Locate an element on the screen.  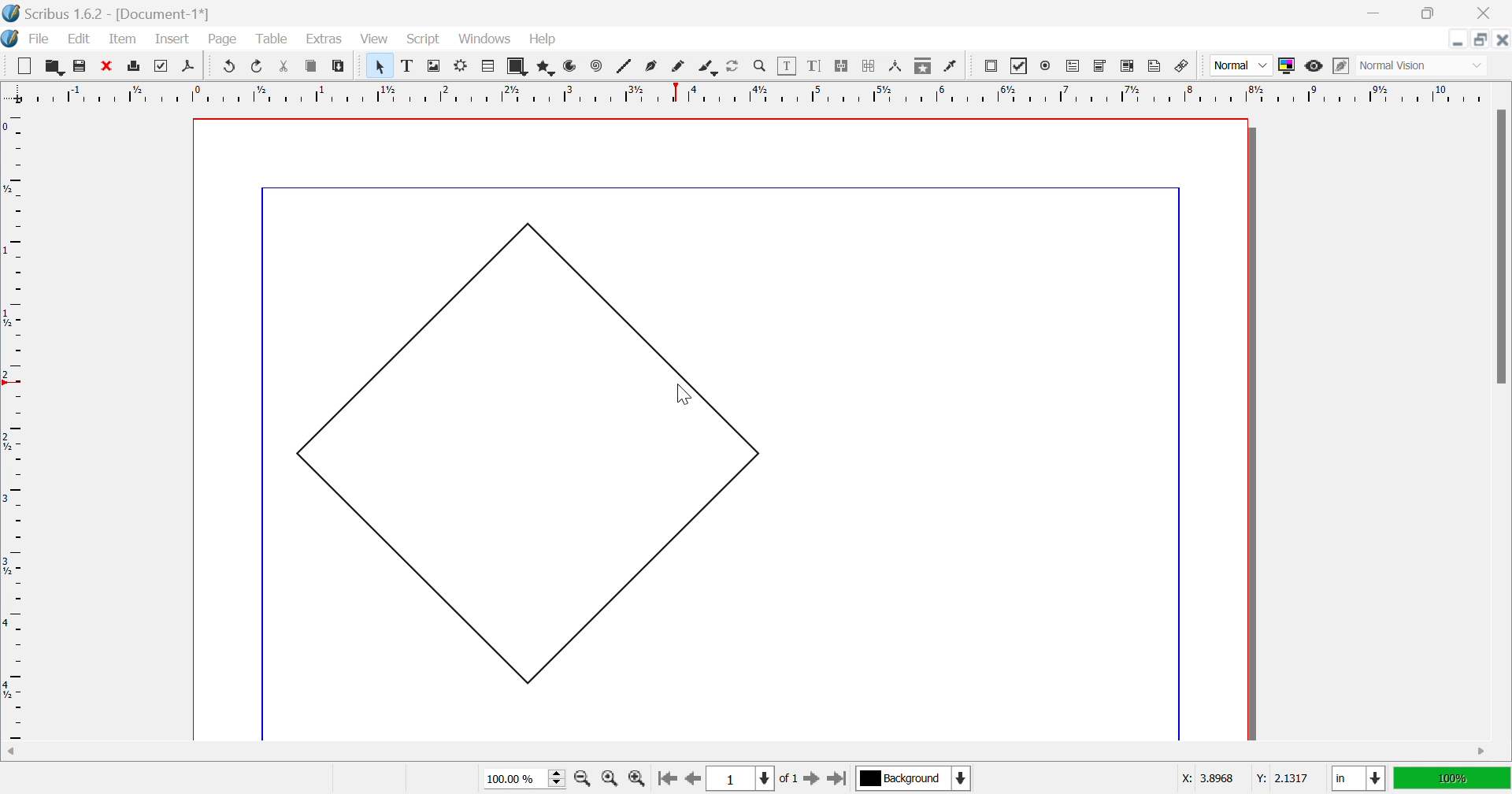
normal vision is located at coordinates (1410, 66).